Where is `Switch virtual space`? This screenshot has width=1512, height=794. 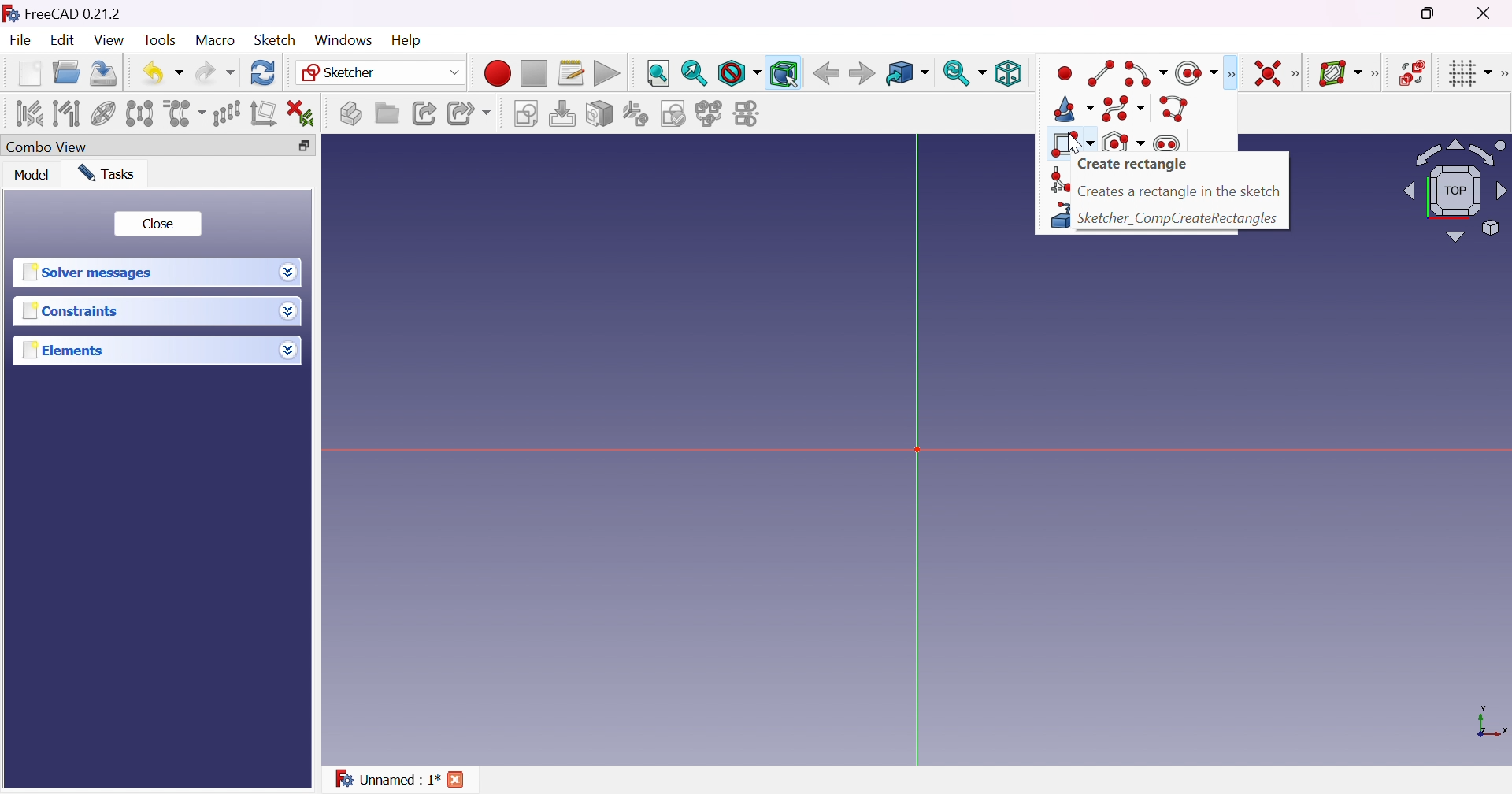 Switch virtual space is located at coordinates (1412, 74).